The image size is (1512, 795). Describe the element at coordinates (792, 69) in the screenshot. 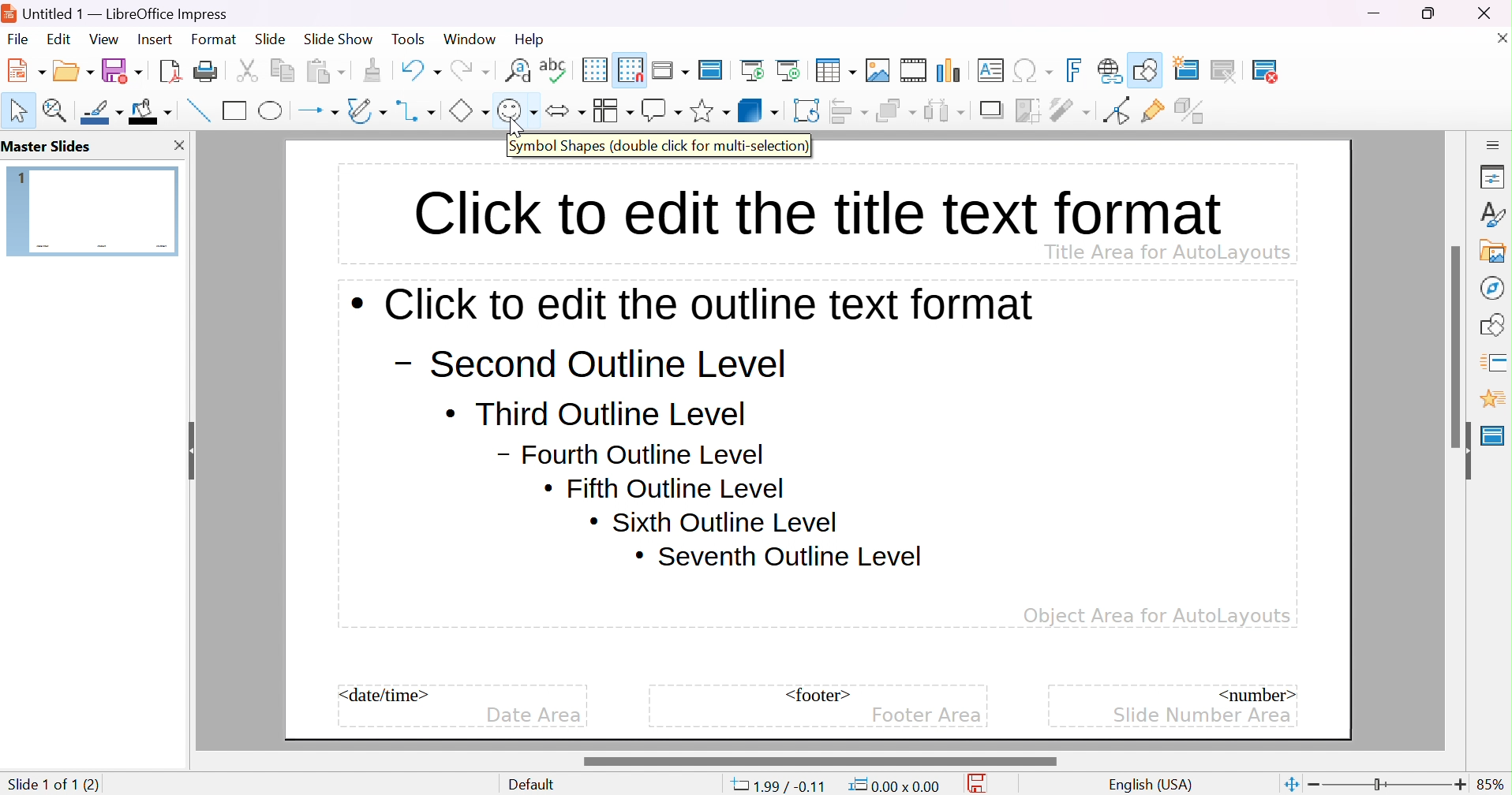

I see `start from current slide` at that location.